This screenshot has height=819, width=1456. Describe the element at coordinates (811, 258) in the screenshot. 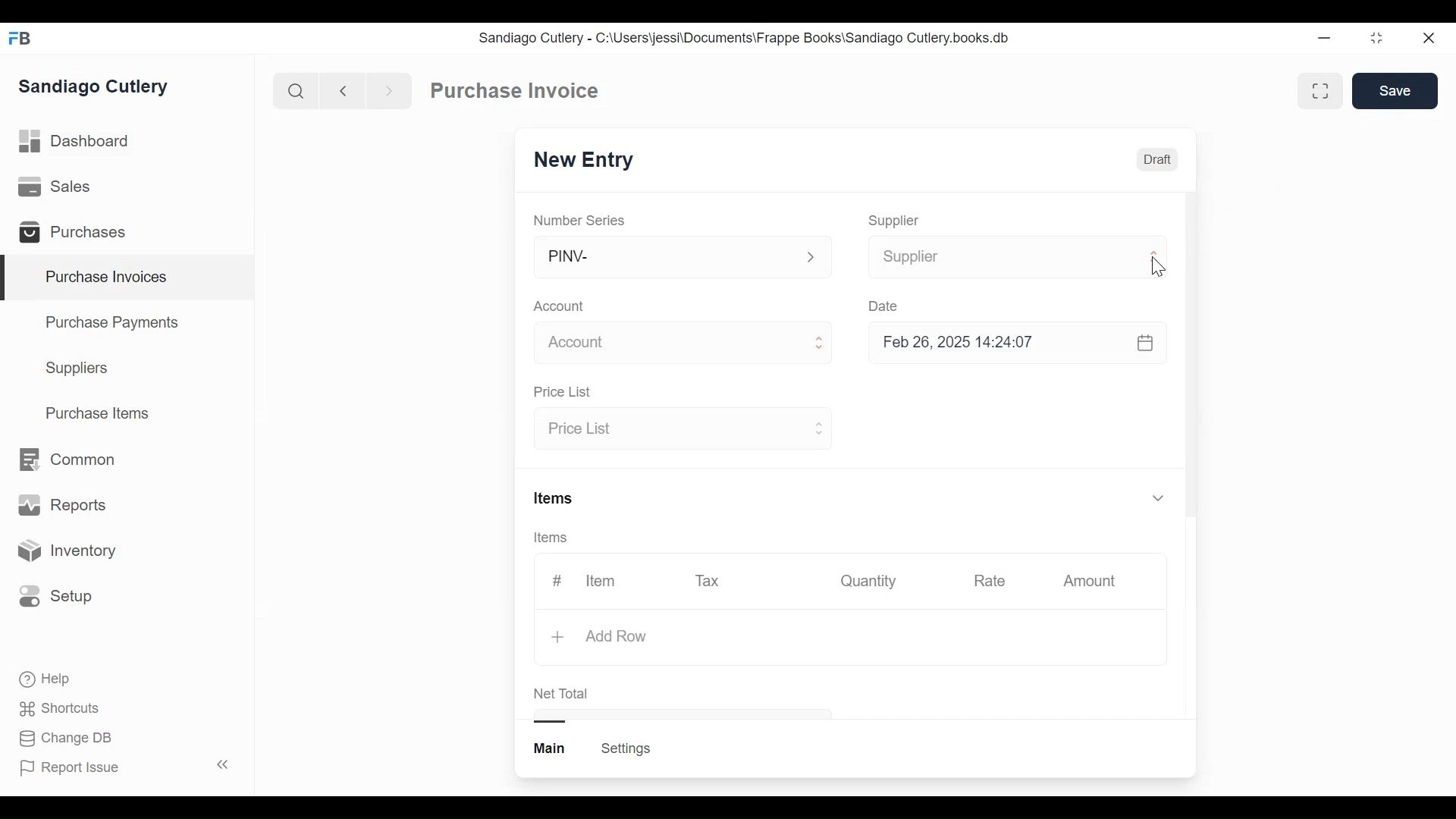

I see `Expand` at that location.